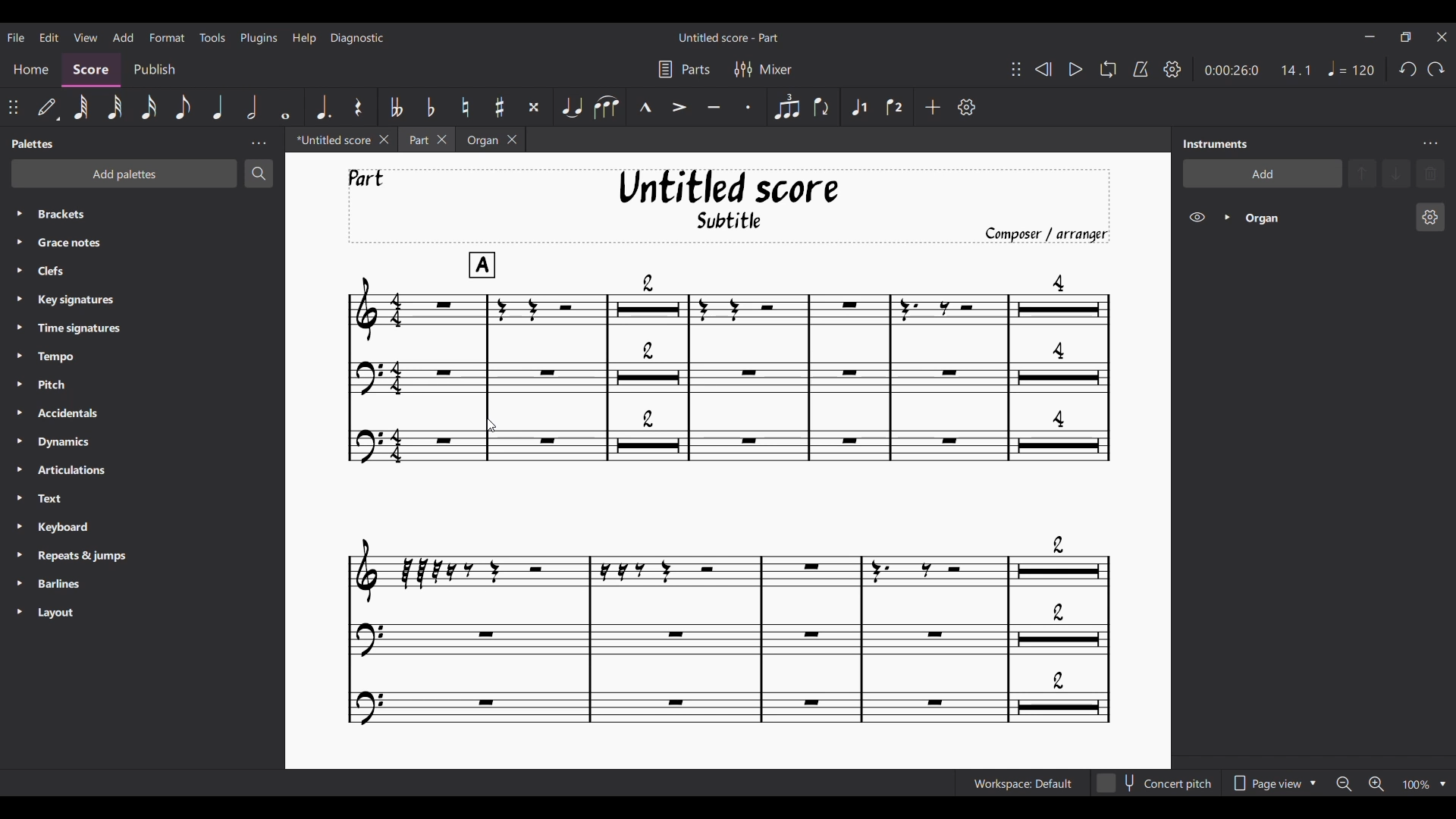 The width and height of the screenshot is (1456, 819). What do you see at coordinates (729, 37) in the screenshot?
I see `Name of current score` at bounding box center [729, 37].